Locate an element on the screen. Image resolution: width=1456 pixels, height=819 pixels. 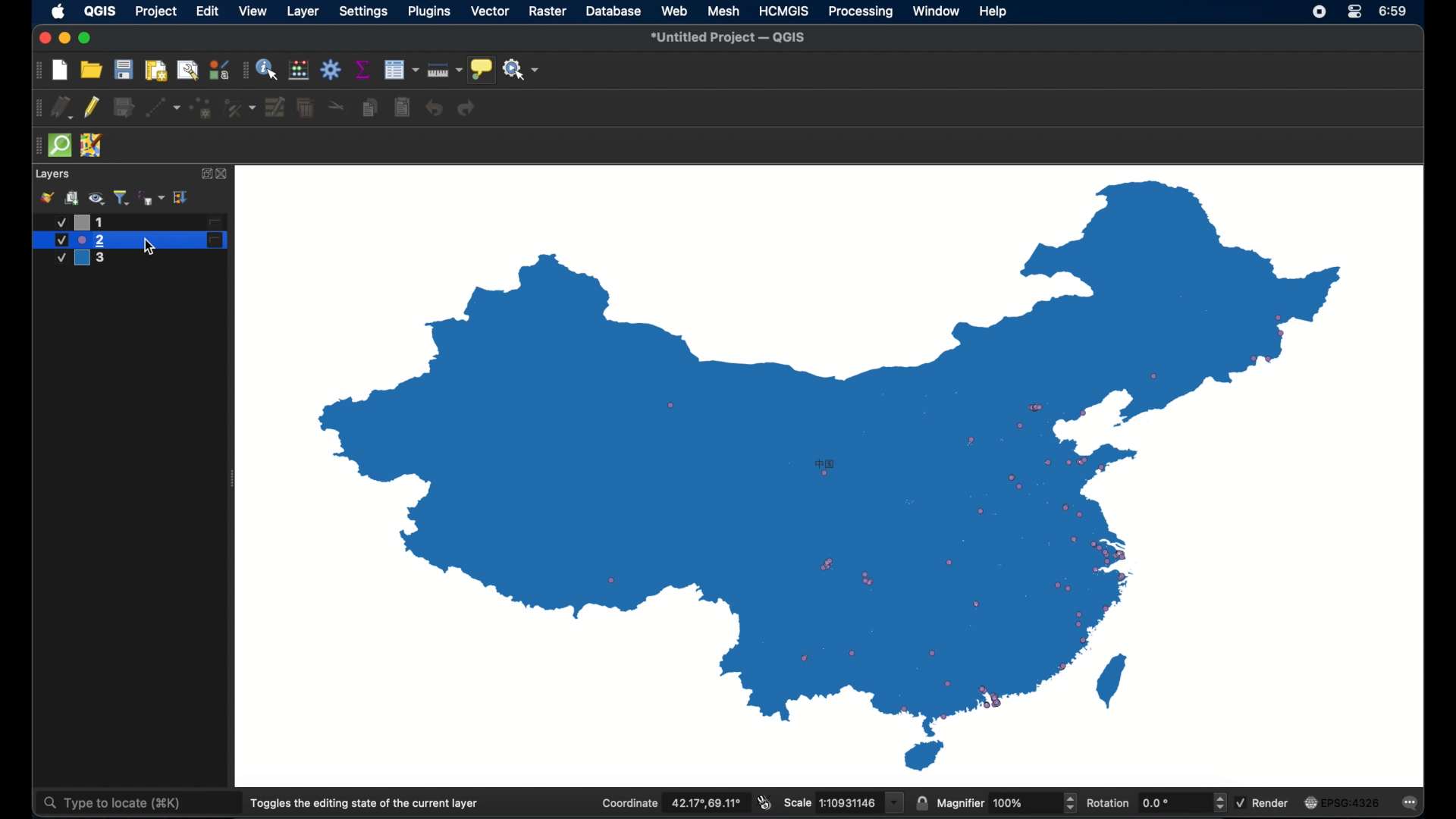
drag handle is located at coordinates (36, 108).